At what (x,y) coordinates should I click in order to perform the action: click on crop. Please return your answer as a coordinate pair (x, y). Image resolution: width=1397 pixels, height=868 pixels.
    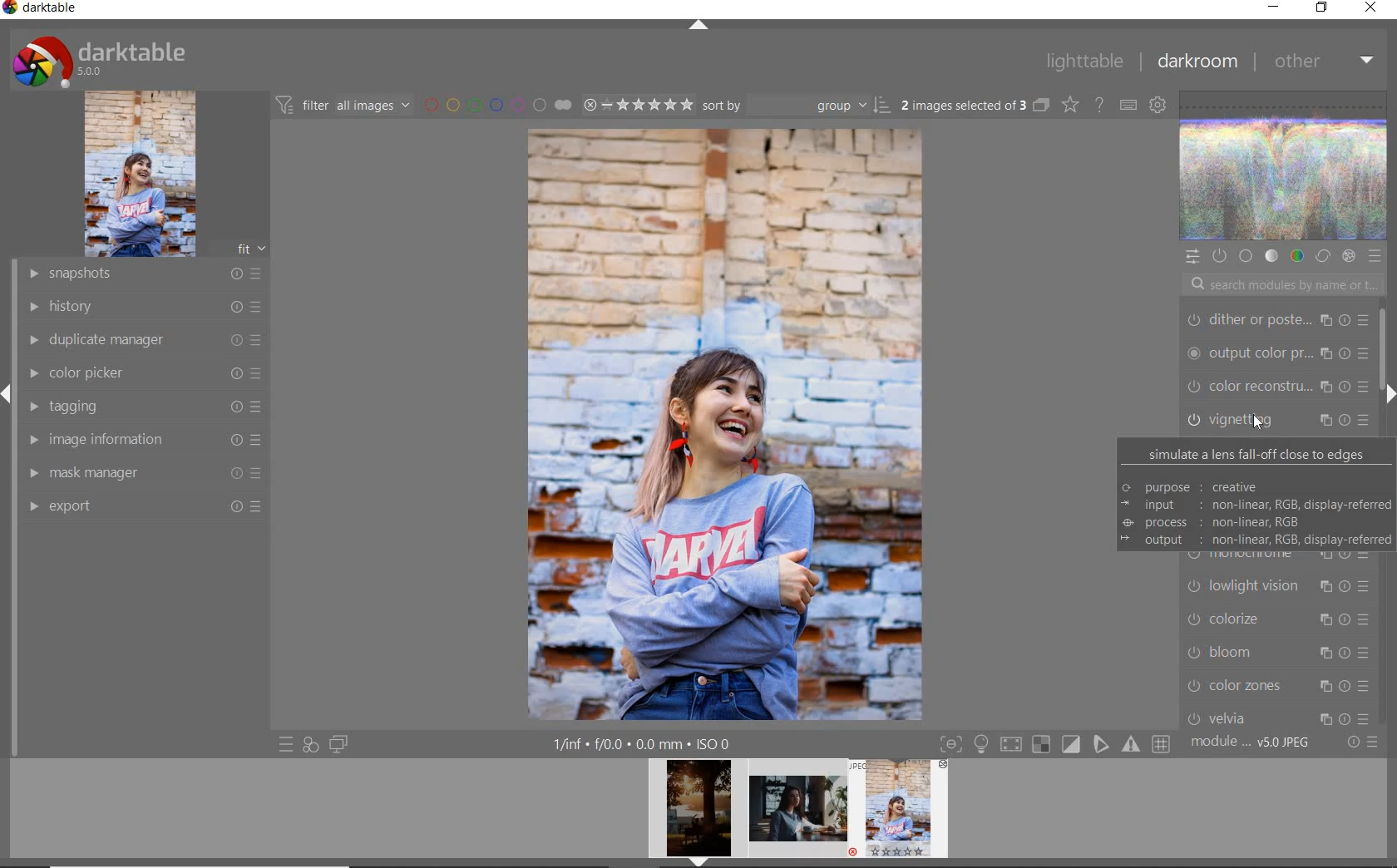
    Looking at the image, I should click on (1278, 353).